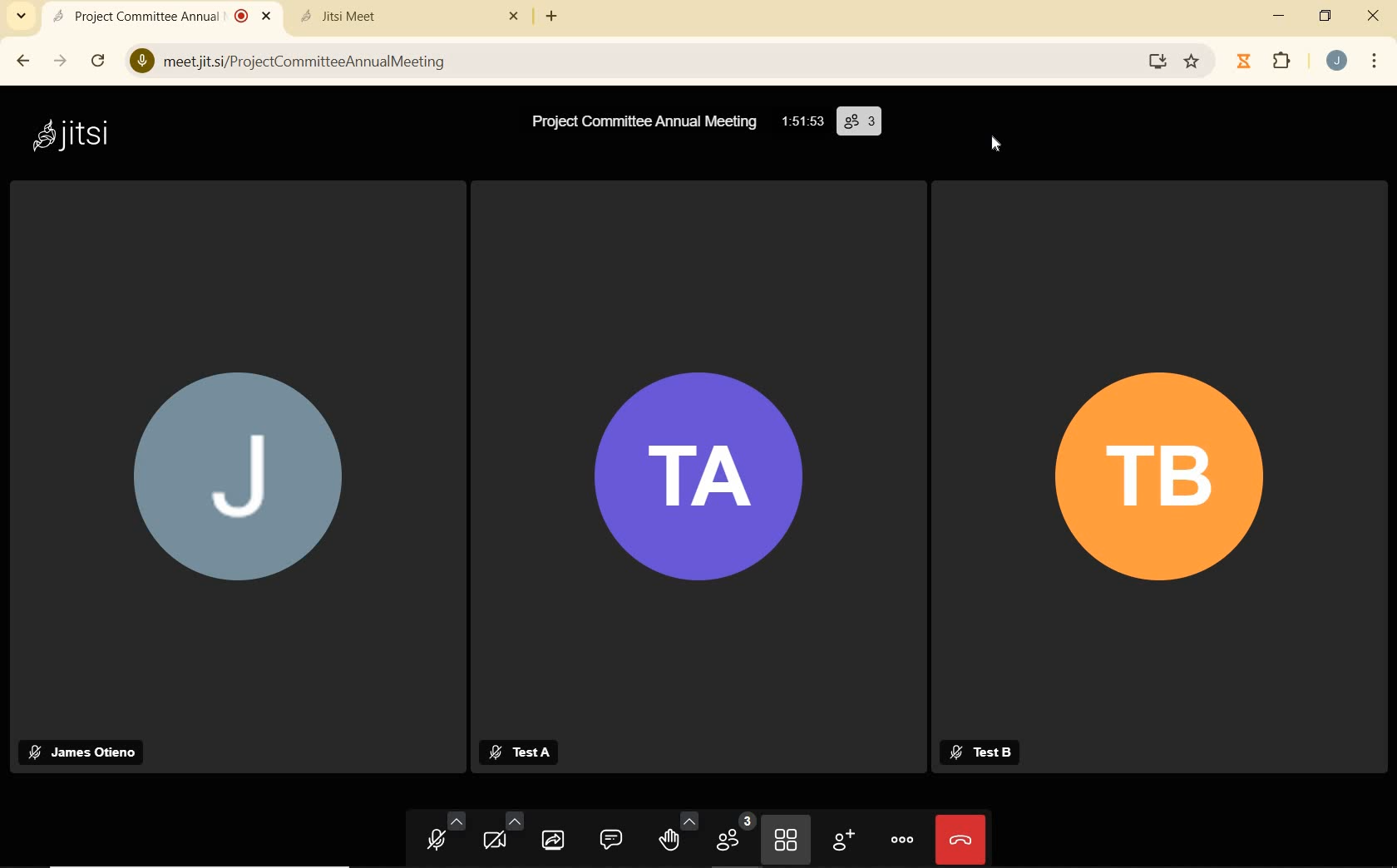  What do you see at coordinates (1326, 18) in the screenshot?
I see `restore down` at bounding box center [1326, 18].